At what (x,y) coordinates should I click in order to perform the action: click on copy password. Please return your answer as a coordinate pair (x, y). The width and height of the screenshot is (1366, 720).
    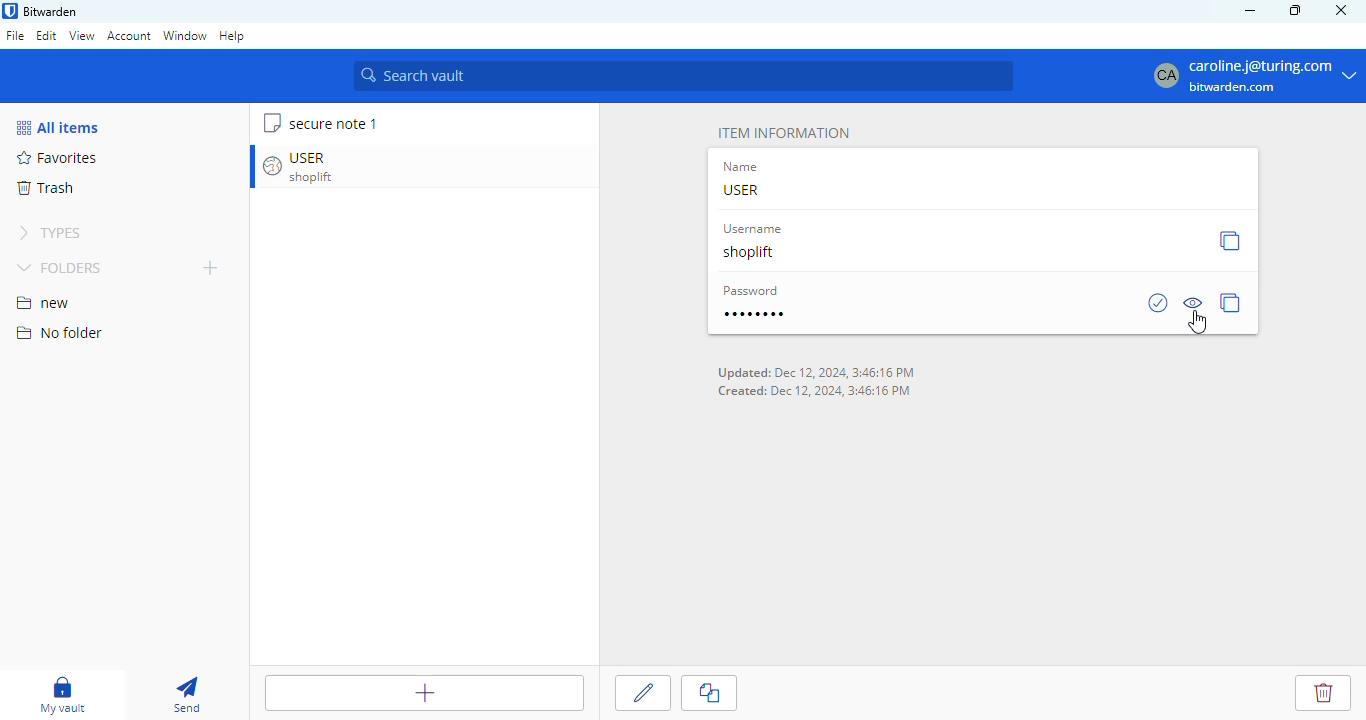
    Looking at the image, I should click on (1233, 303).